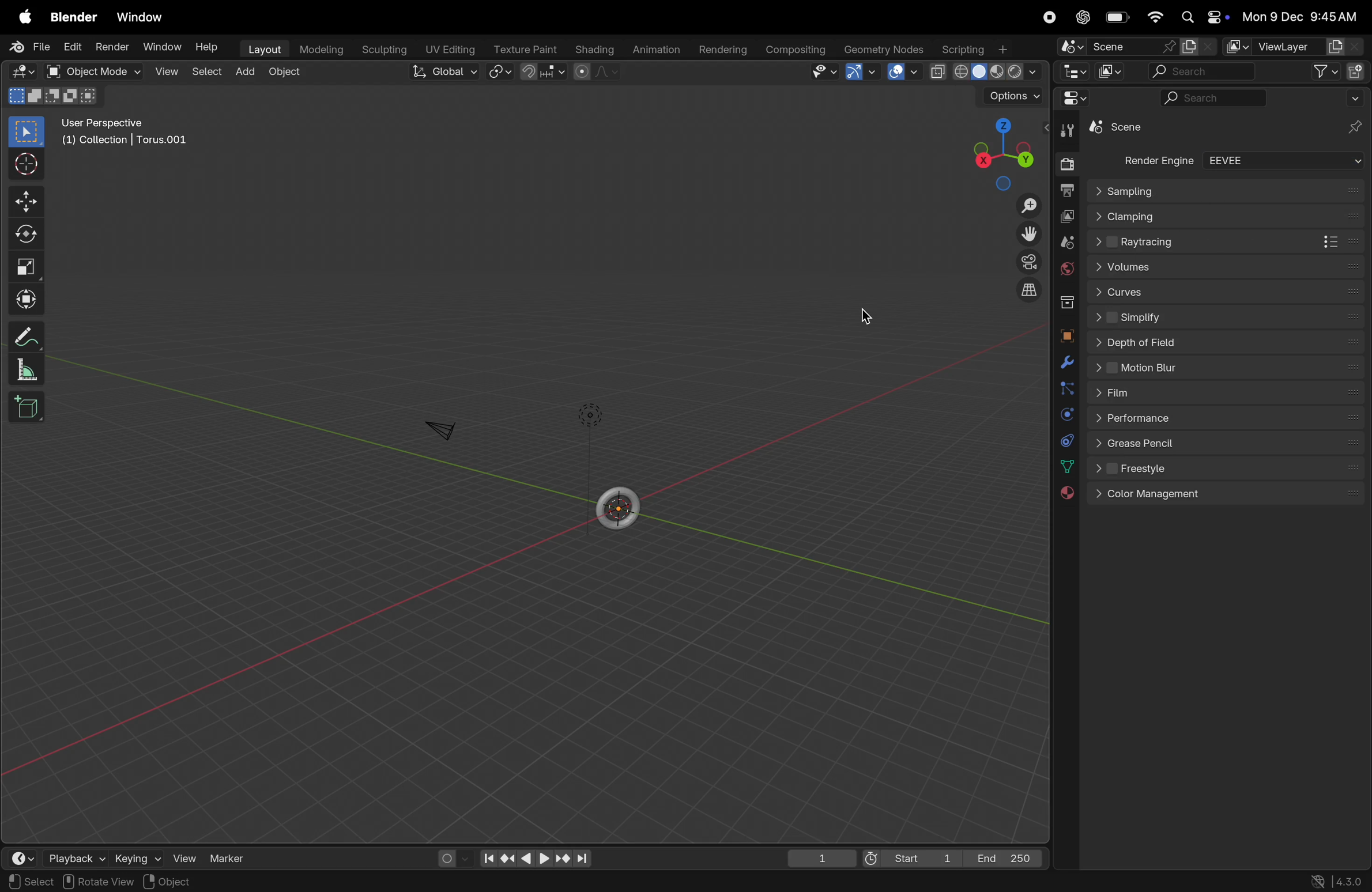 The height and width of the screenshot is (892, 1372). Describe the element at coordinates (288, 71) in the screenshot. I see `object` at that location.